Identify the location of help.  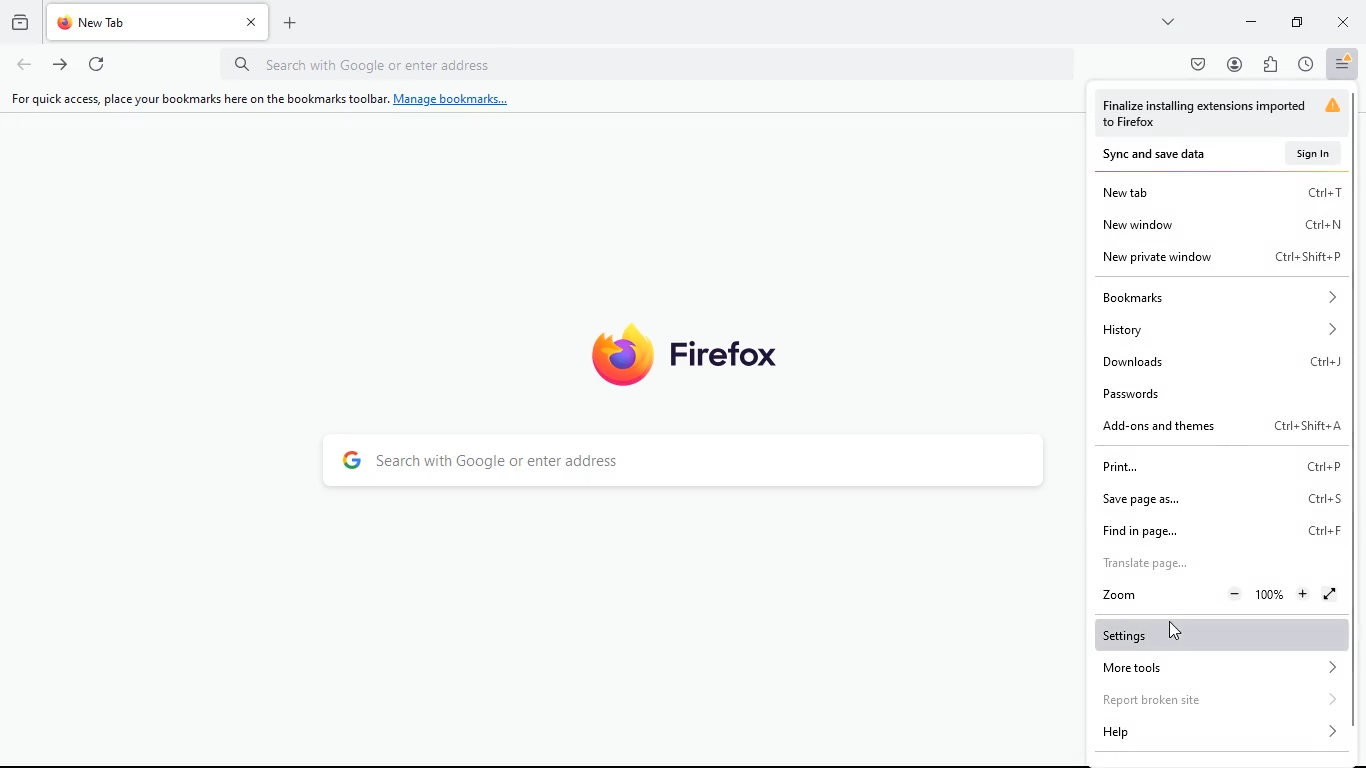
(1218, 735).